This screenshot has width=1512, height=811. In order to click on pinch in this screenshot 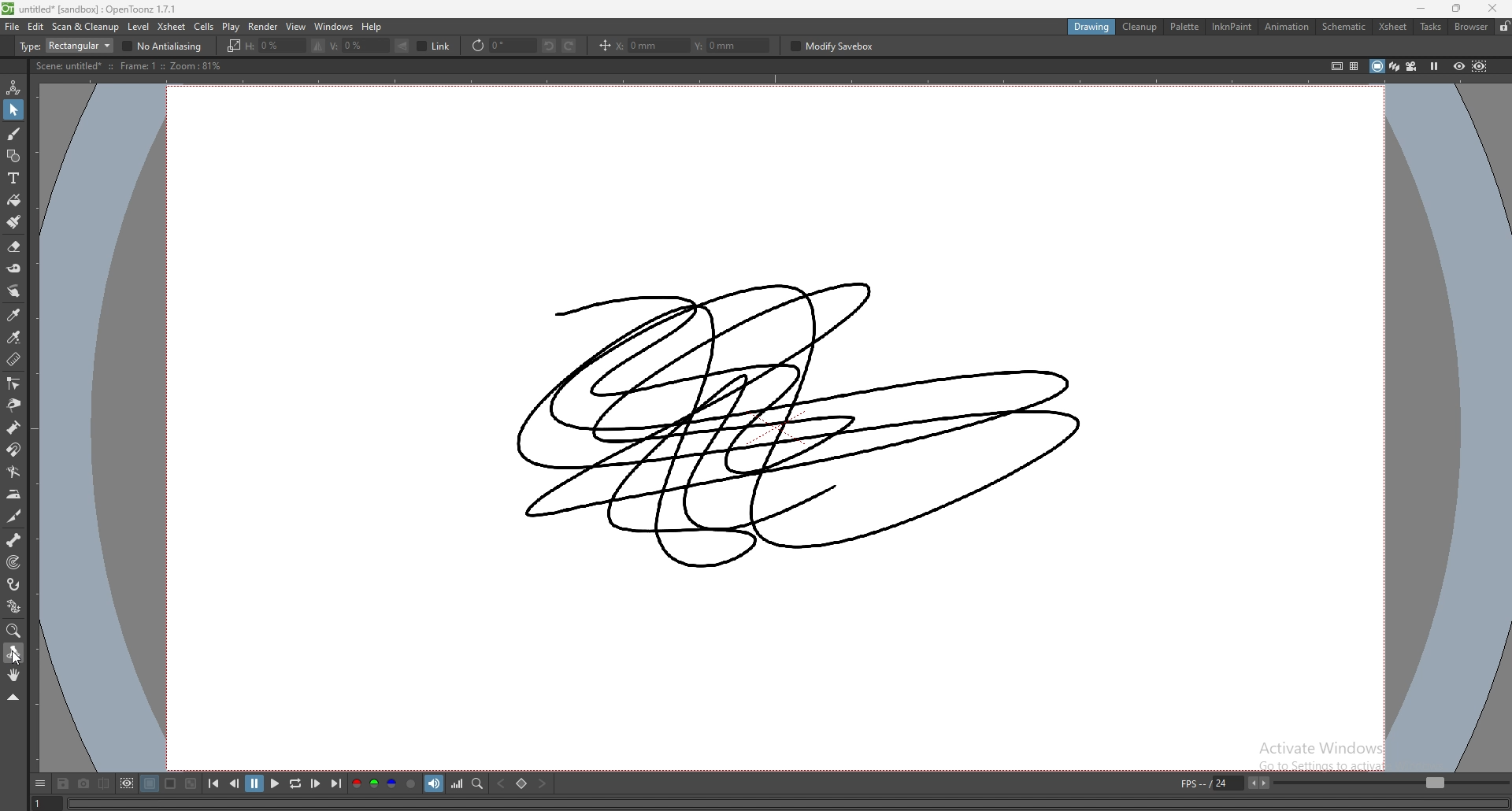, I will do `click(15, 405)`.